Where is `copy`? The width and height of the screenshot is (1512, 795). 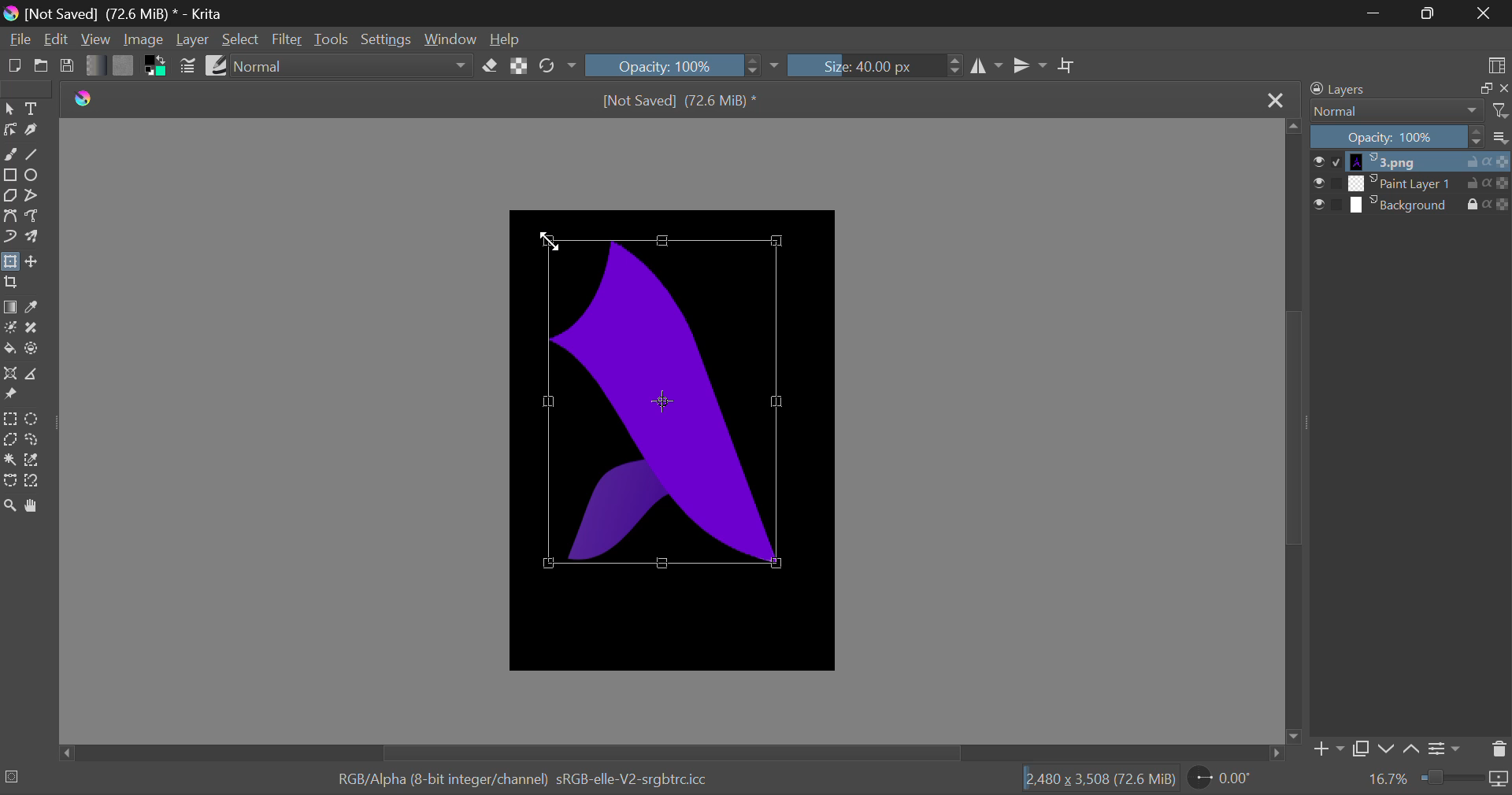 copy is located at coordinates (1483, 89).